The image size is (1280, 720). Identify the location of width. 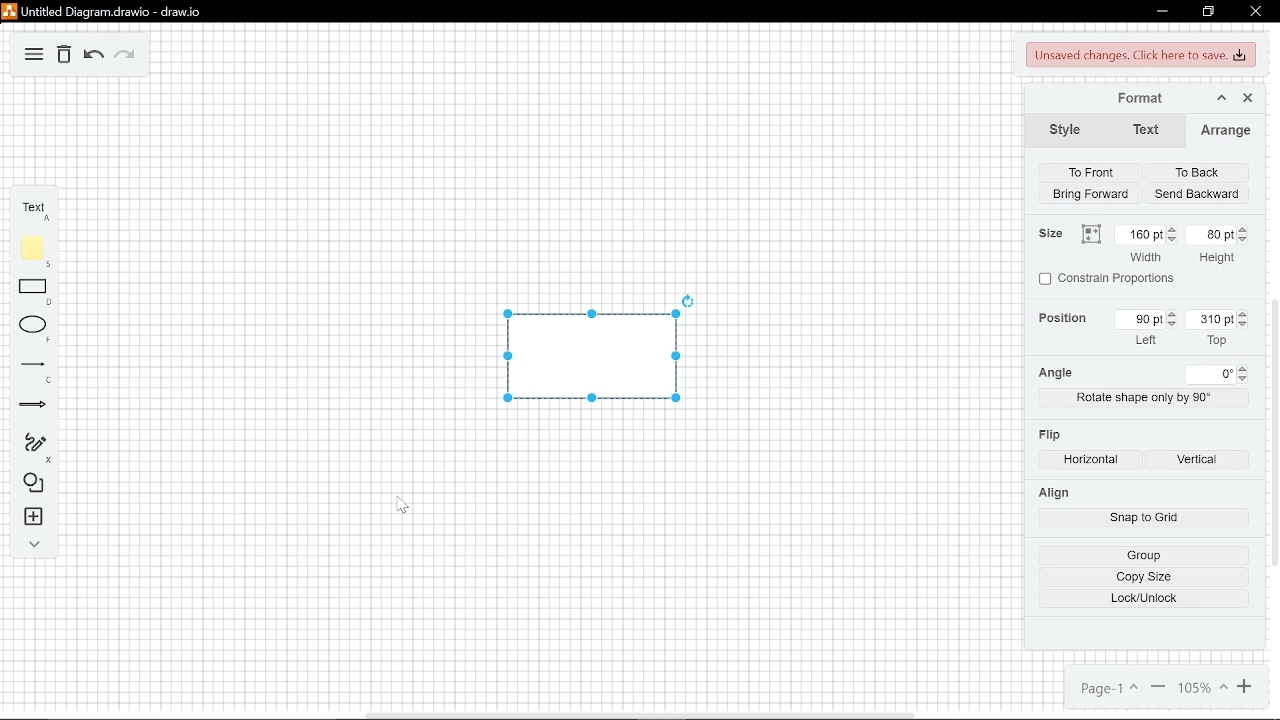
(1146, 257).